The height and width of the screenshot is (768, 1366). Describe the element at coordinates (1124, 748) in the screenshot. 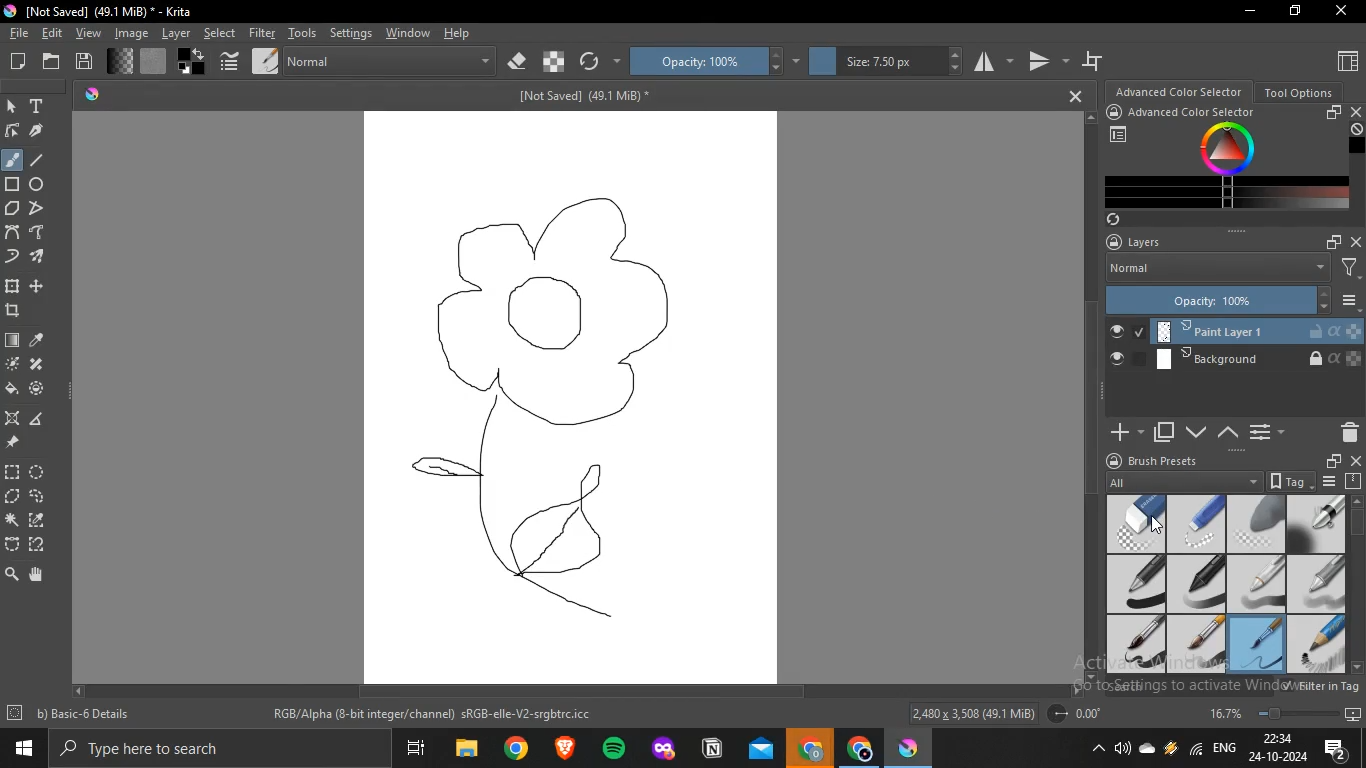

I see `Sound` at that location.